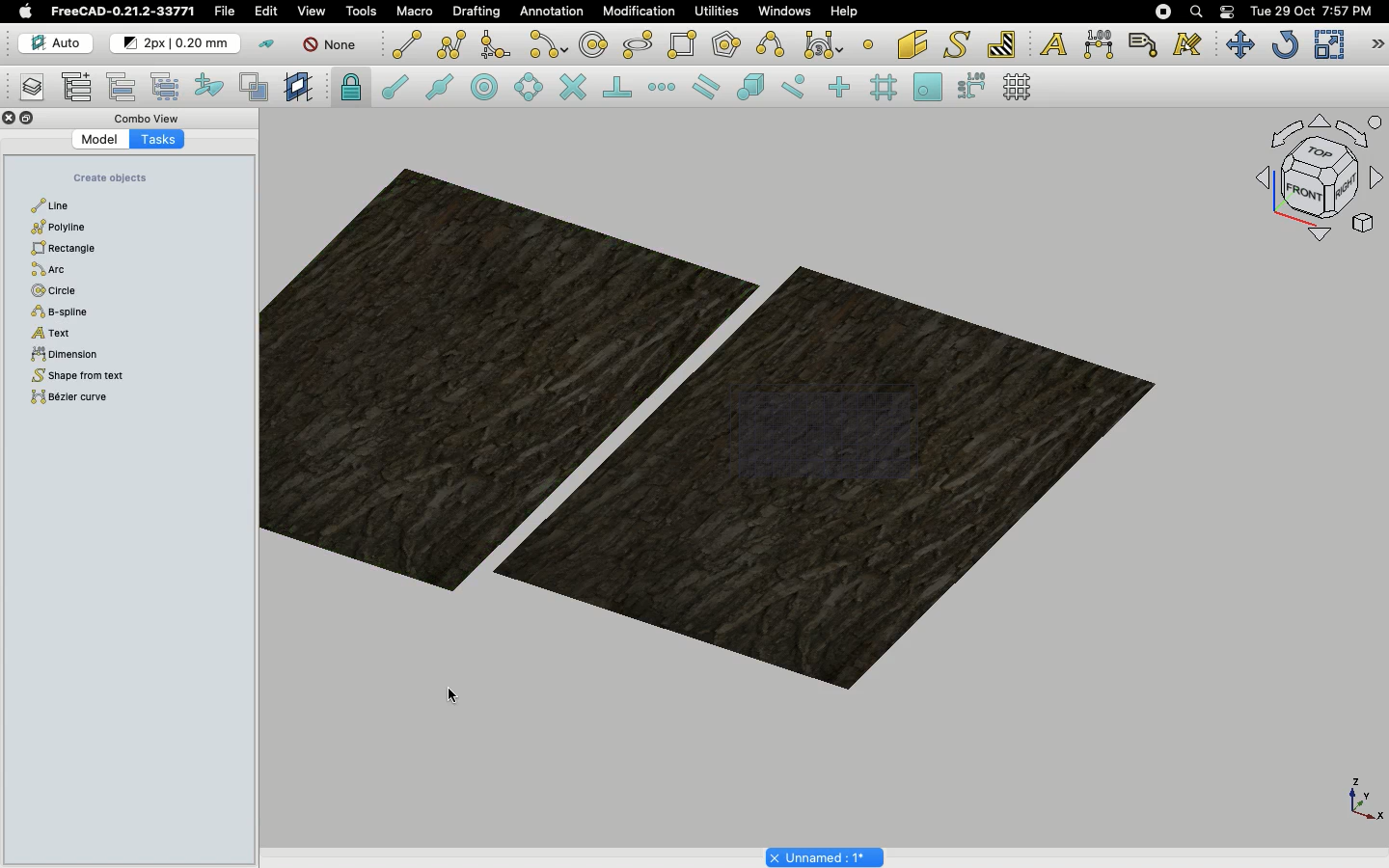 This screenshot has height=868, width=1389. What do you see at coordinates (799, 87) in the screenshot?
I see `Snap near` at bounding box center [799, 87].